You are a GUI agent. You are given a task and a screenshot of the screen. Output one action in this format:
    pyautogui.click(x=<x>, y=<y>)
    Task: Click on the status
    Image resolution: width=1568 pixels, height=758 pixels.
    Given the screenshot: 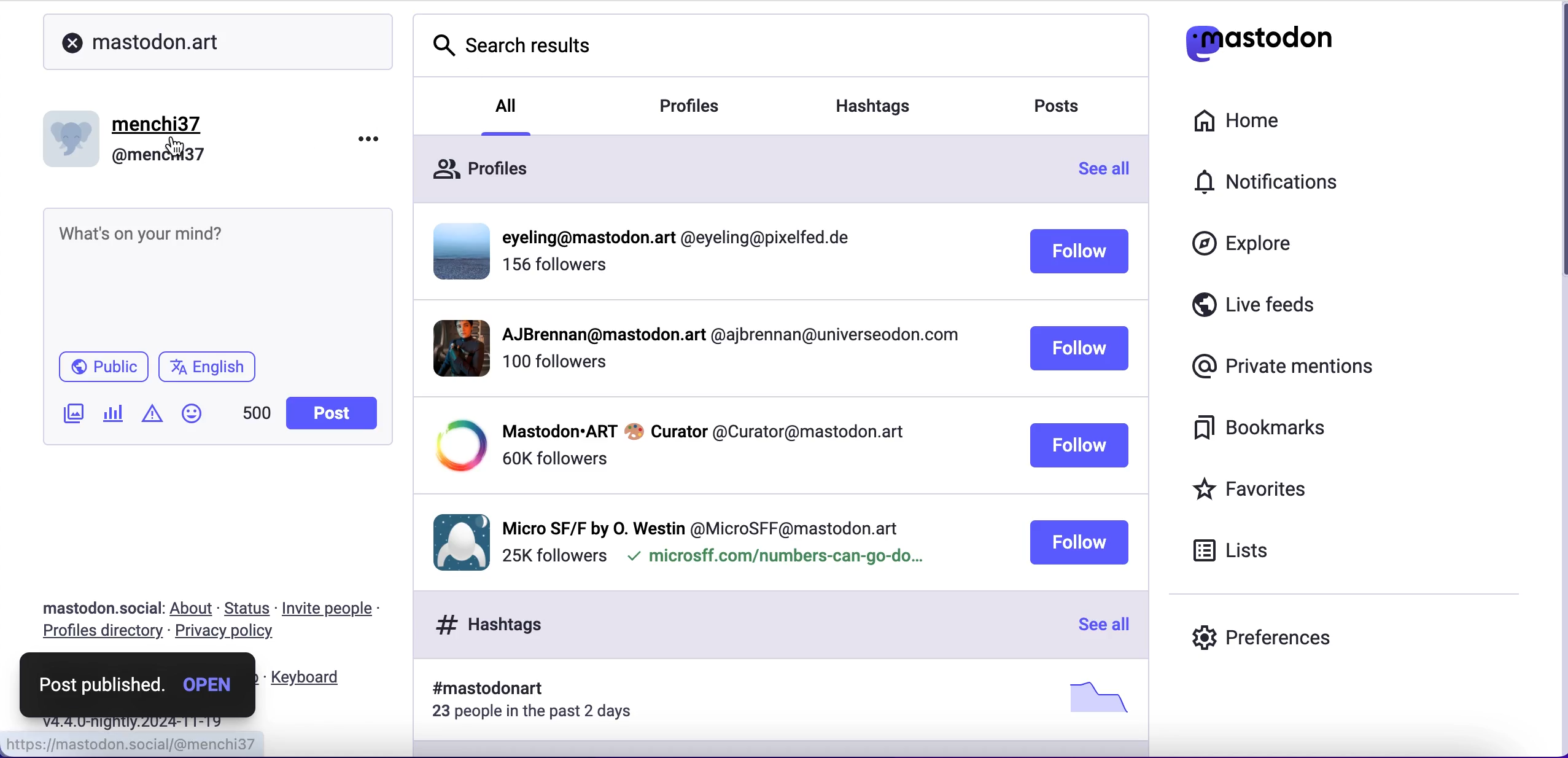 What is the action you would take?
    pyautogui.click(x=248, y=608)
    